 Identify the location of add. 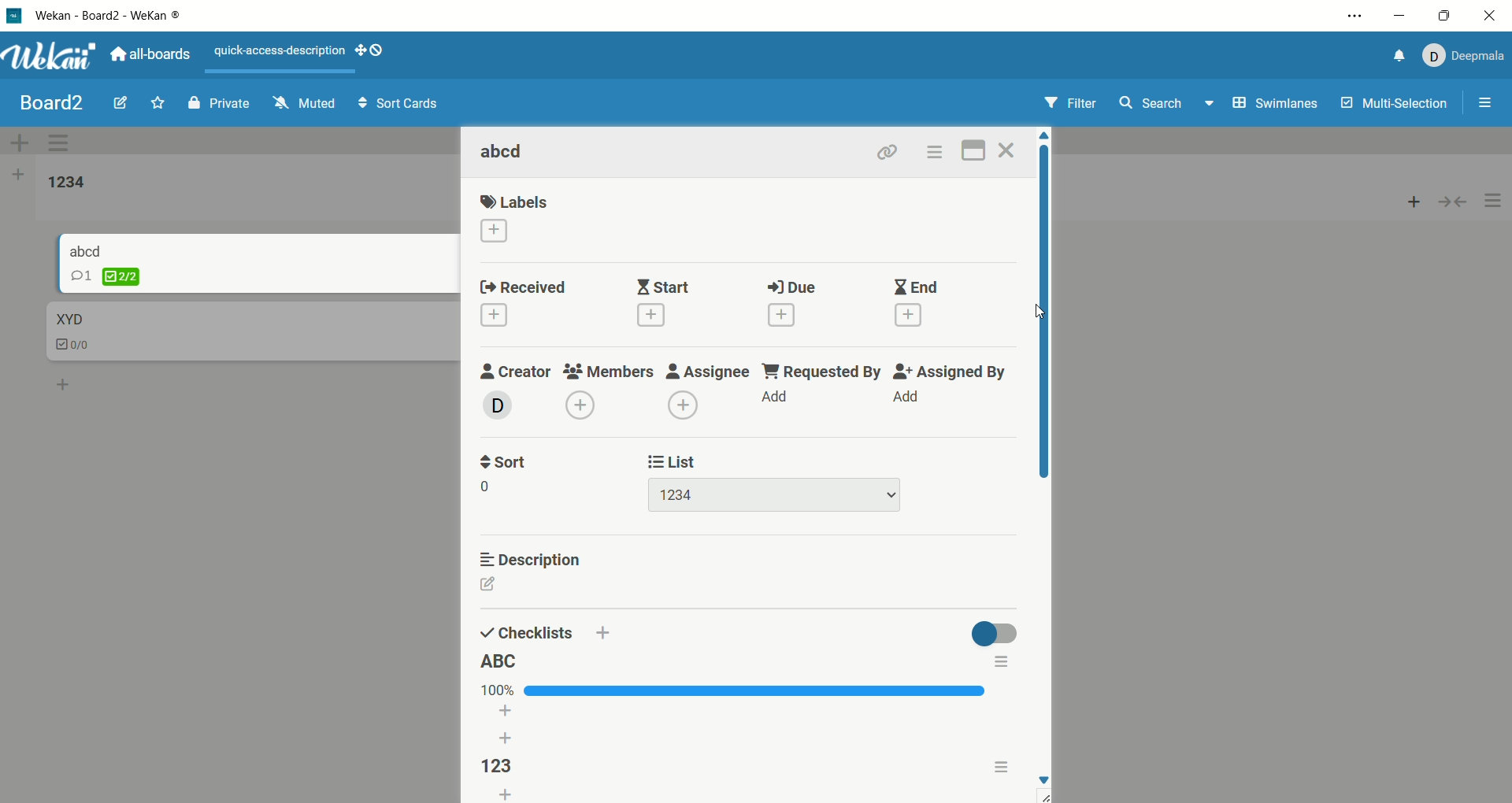
(782, 315).